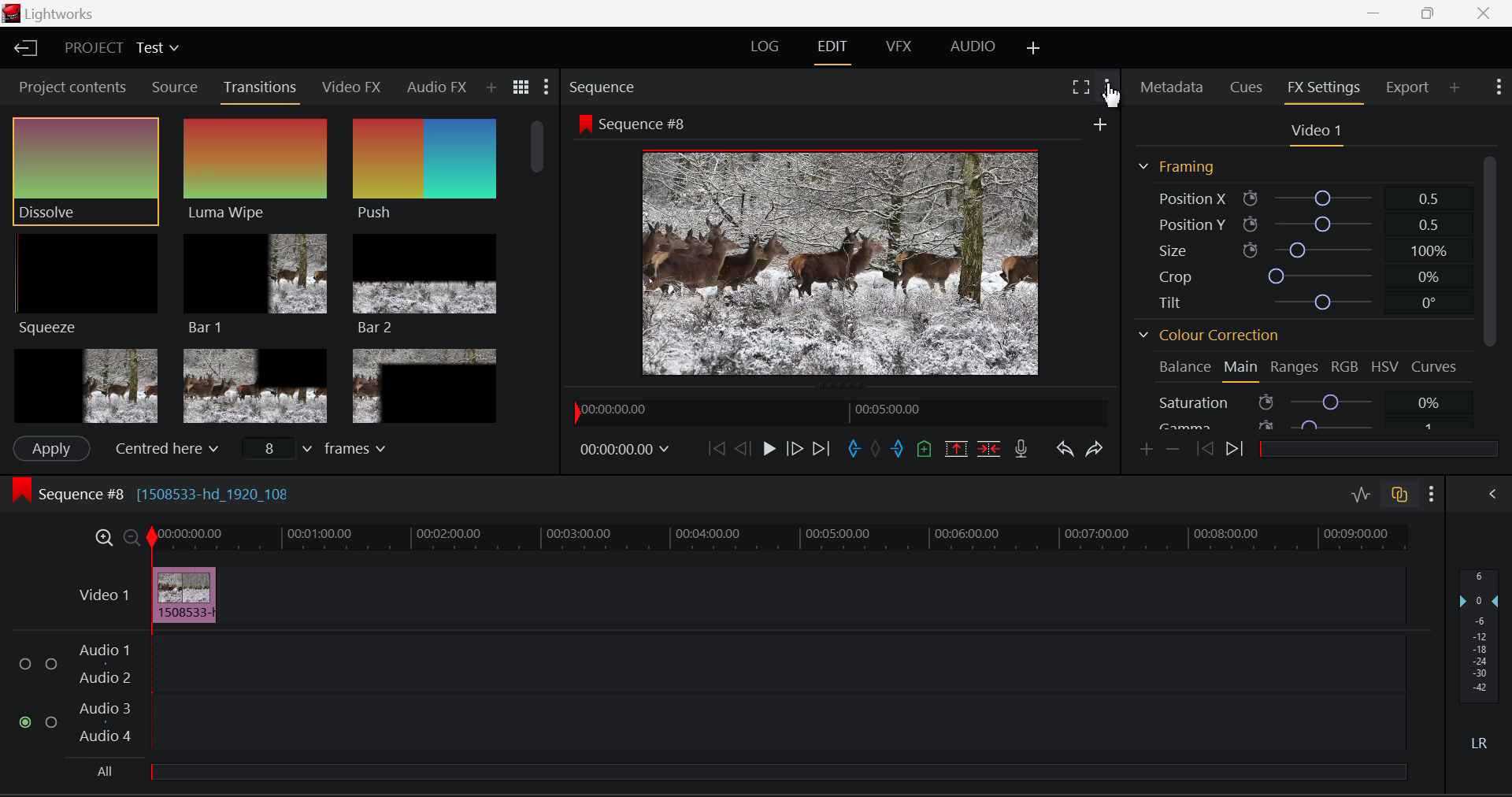  I want to click on Toggle list and title view, so click(521, 86).